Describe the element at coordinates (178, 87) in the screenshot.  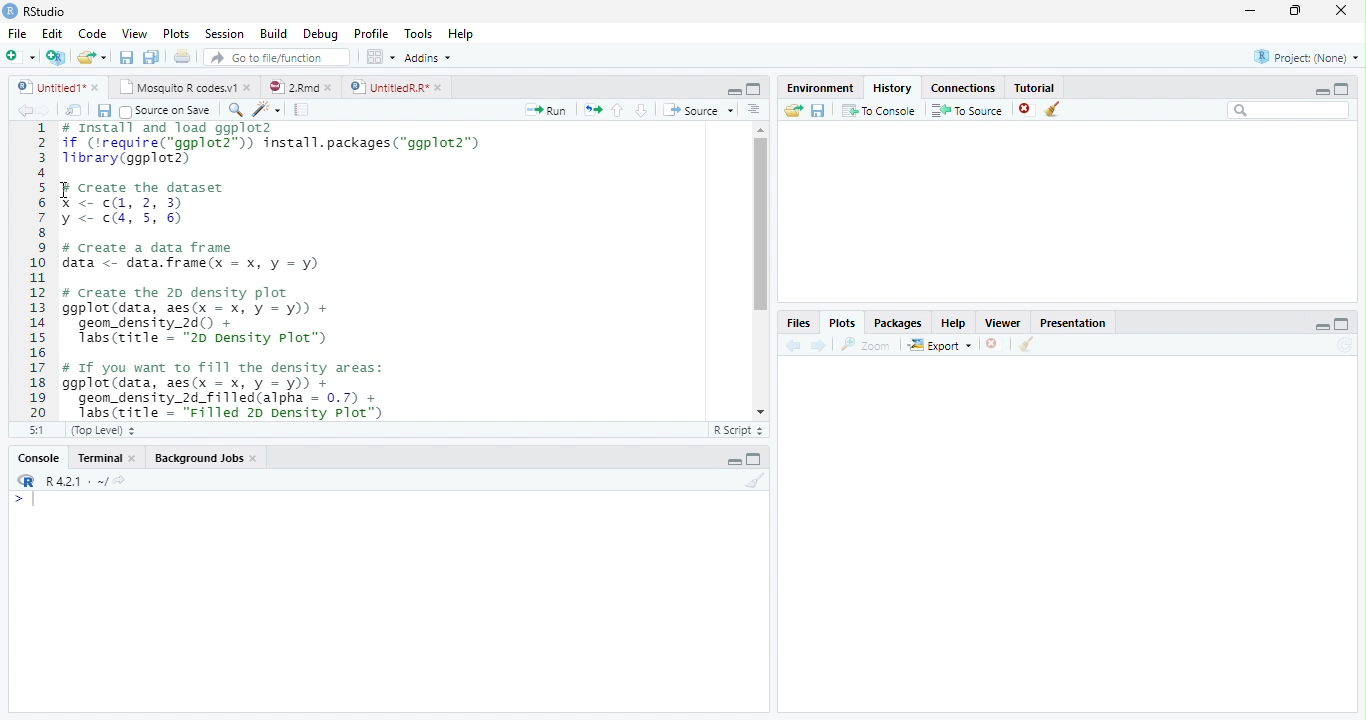
I see `‘Mosquito R codes.v1` at that location.